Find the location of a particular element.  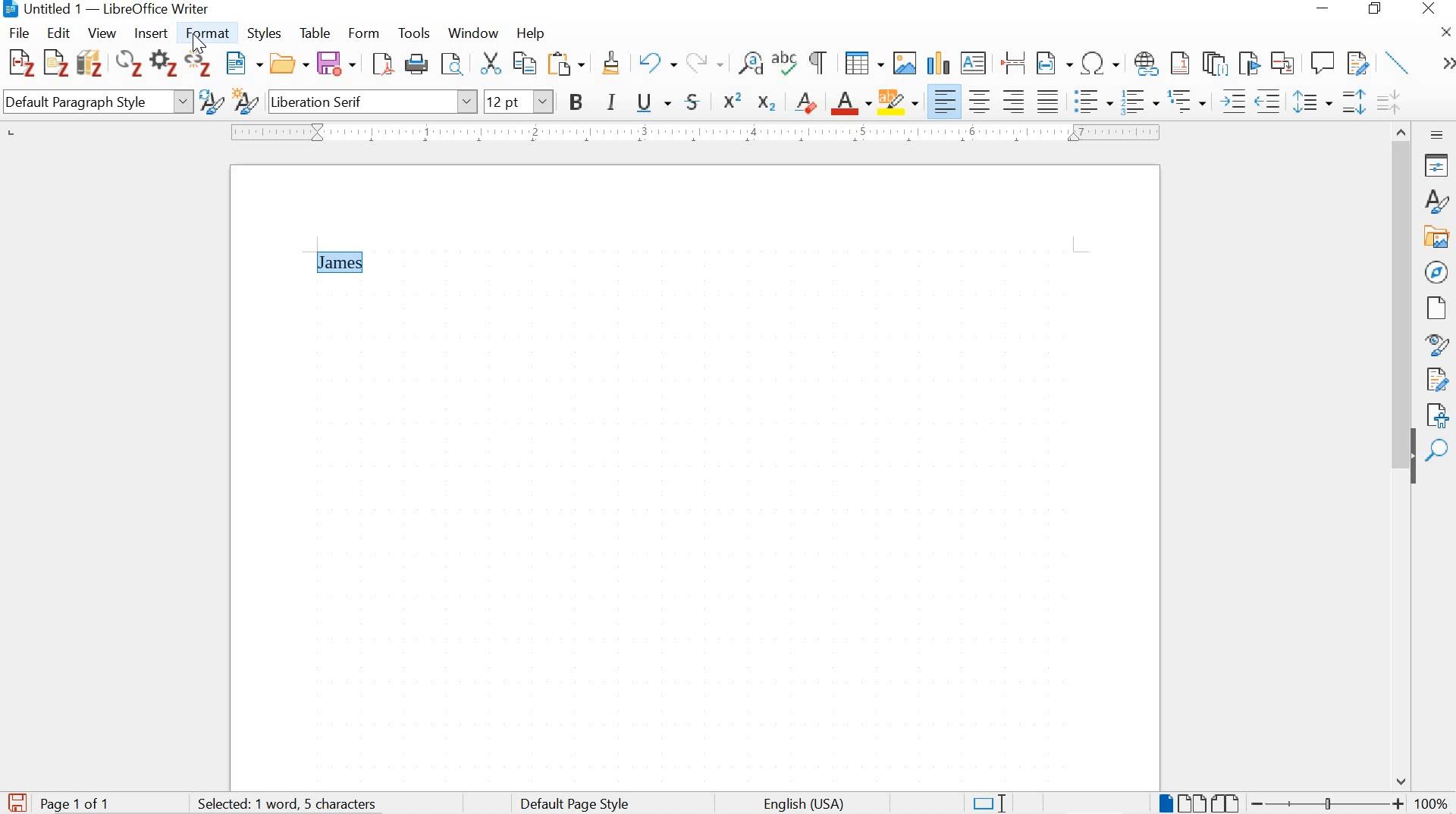

single page view is located at coordinates (1164, 803).